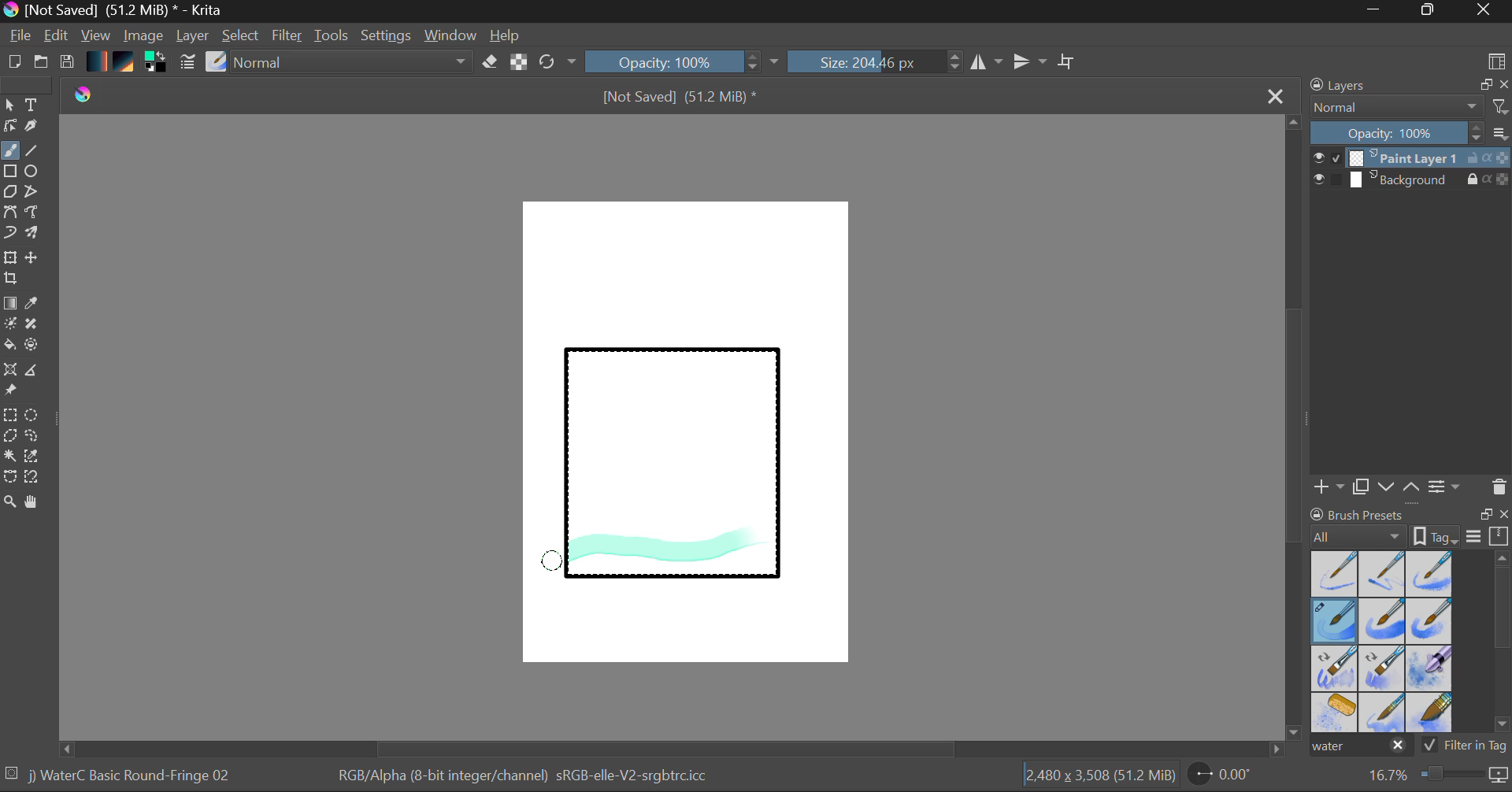 The height and width of the screenshot is (792, 1512). What do you see at coordinates (1466, 747) in the screenshot?
I see `Filter in Tag Option` at bounding box center [1466, 747].